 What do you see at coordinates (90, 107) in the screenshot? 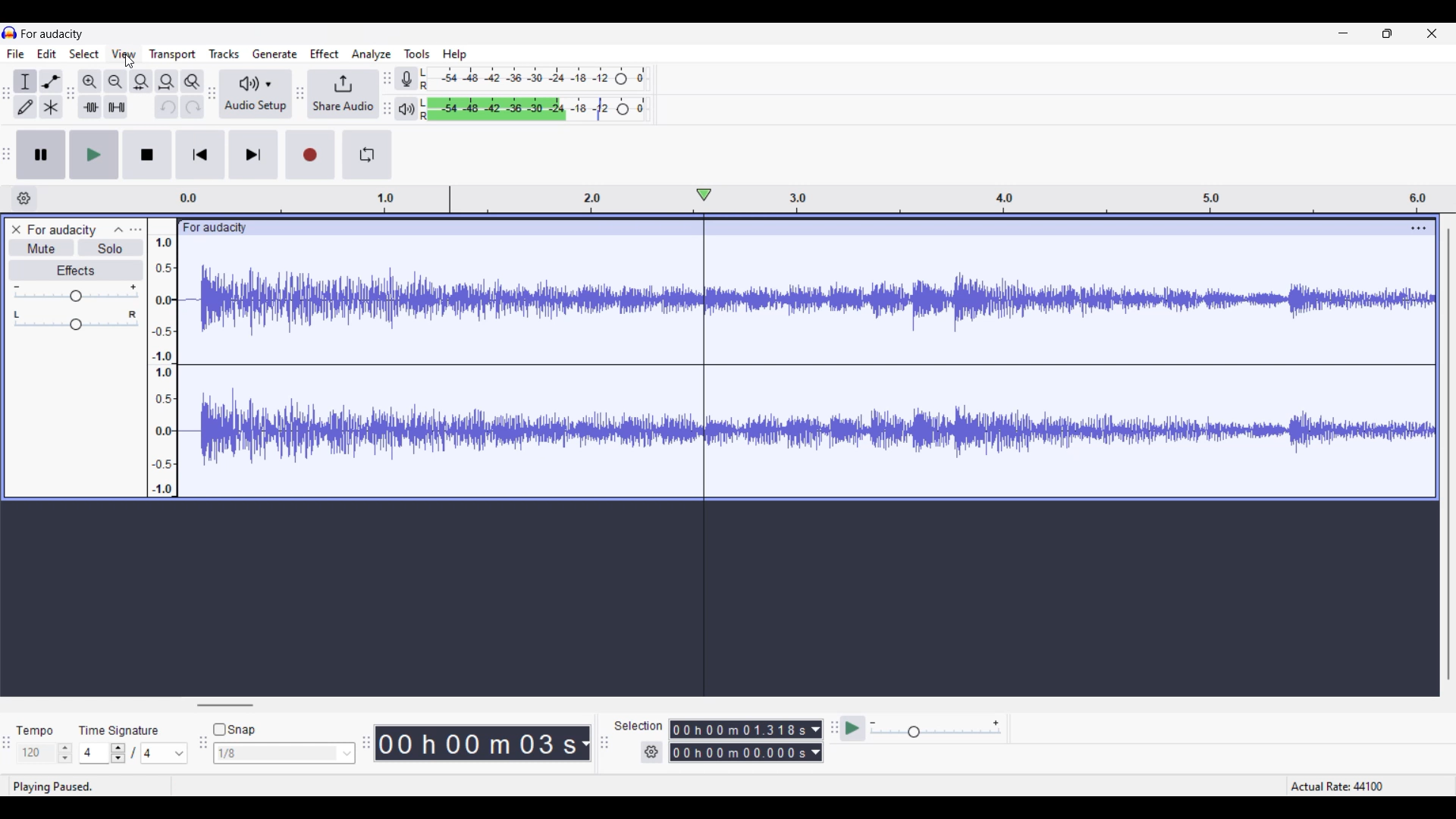
I see `Trim audio outside selection` at bounding box center [90, 107].